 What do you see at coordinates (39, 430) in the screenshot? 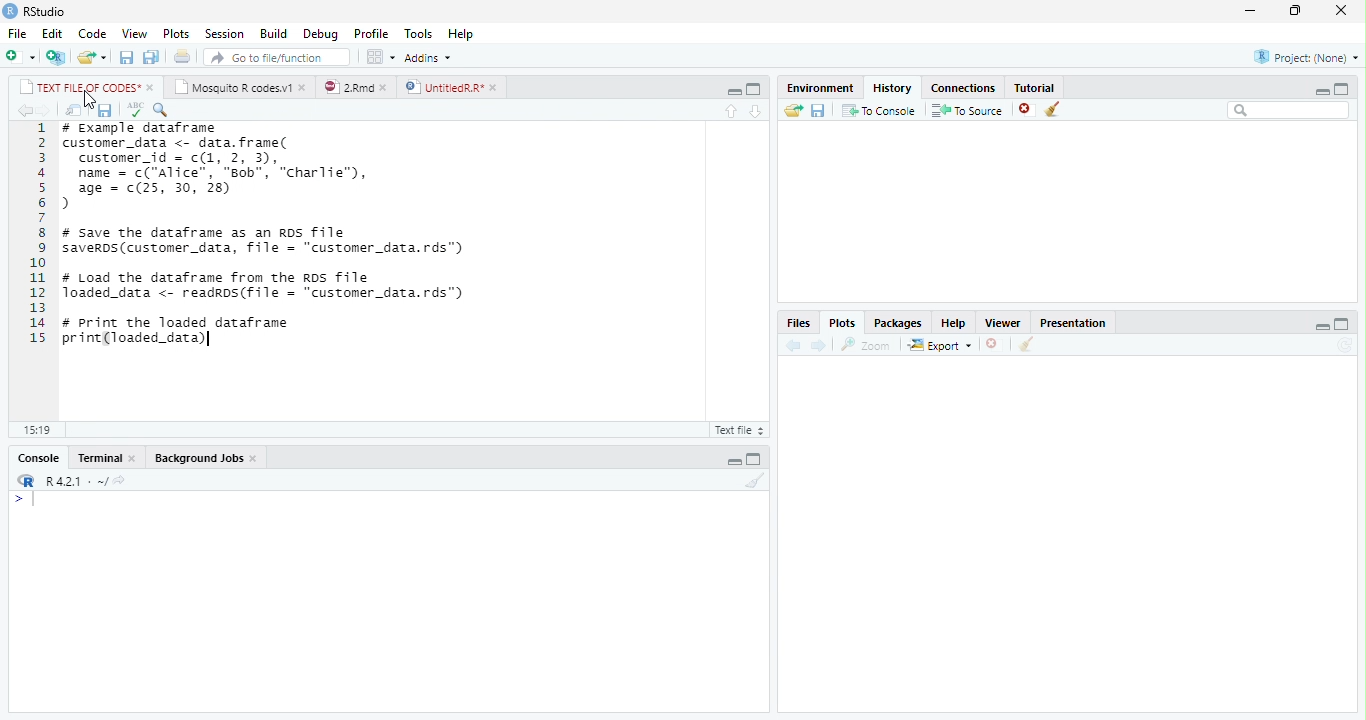
I see `15:19` at bounding box center [39, 430].